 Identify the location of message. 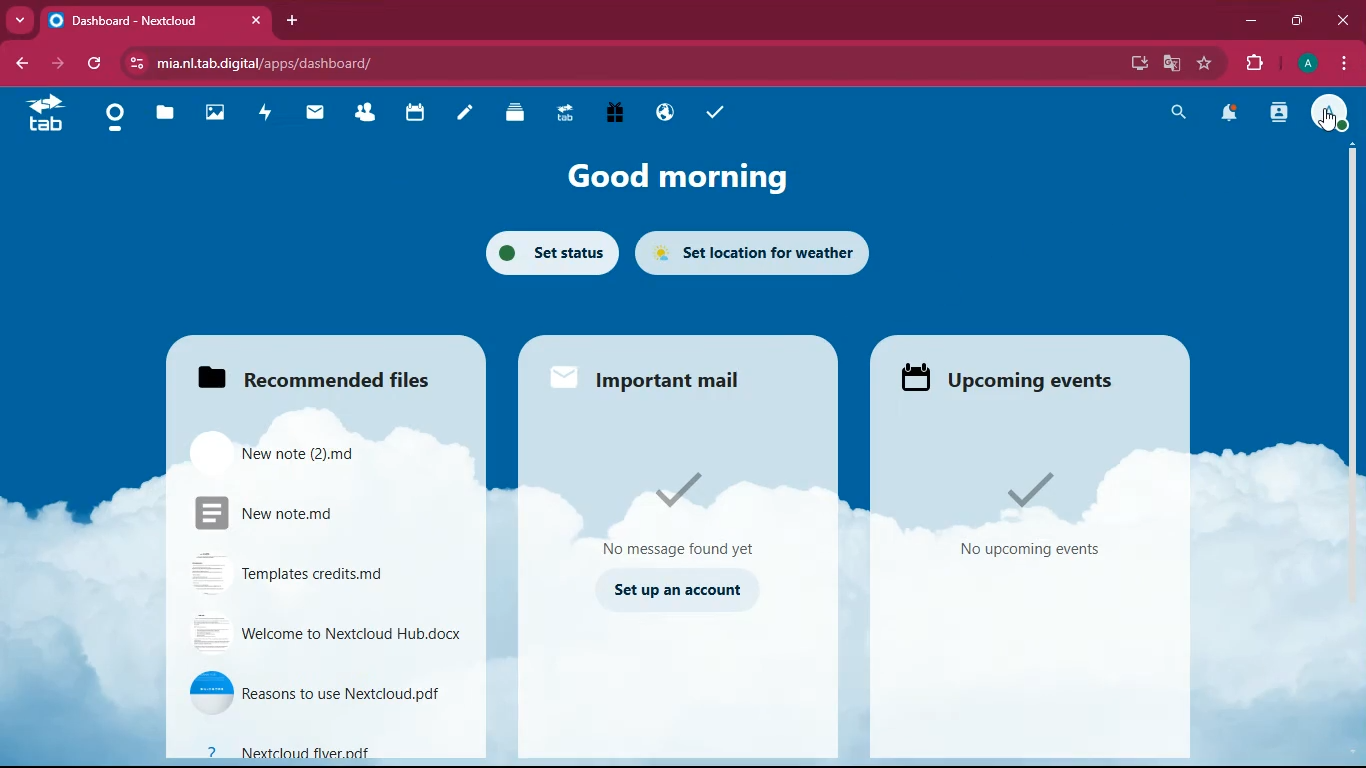
(699, 514).